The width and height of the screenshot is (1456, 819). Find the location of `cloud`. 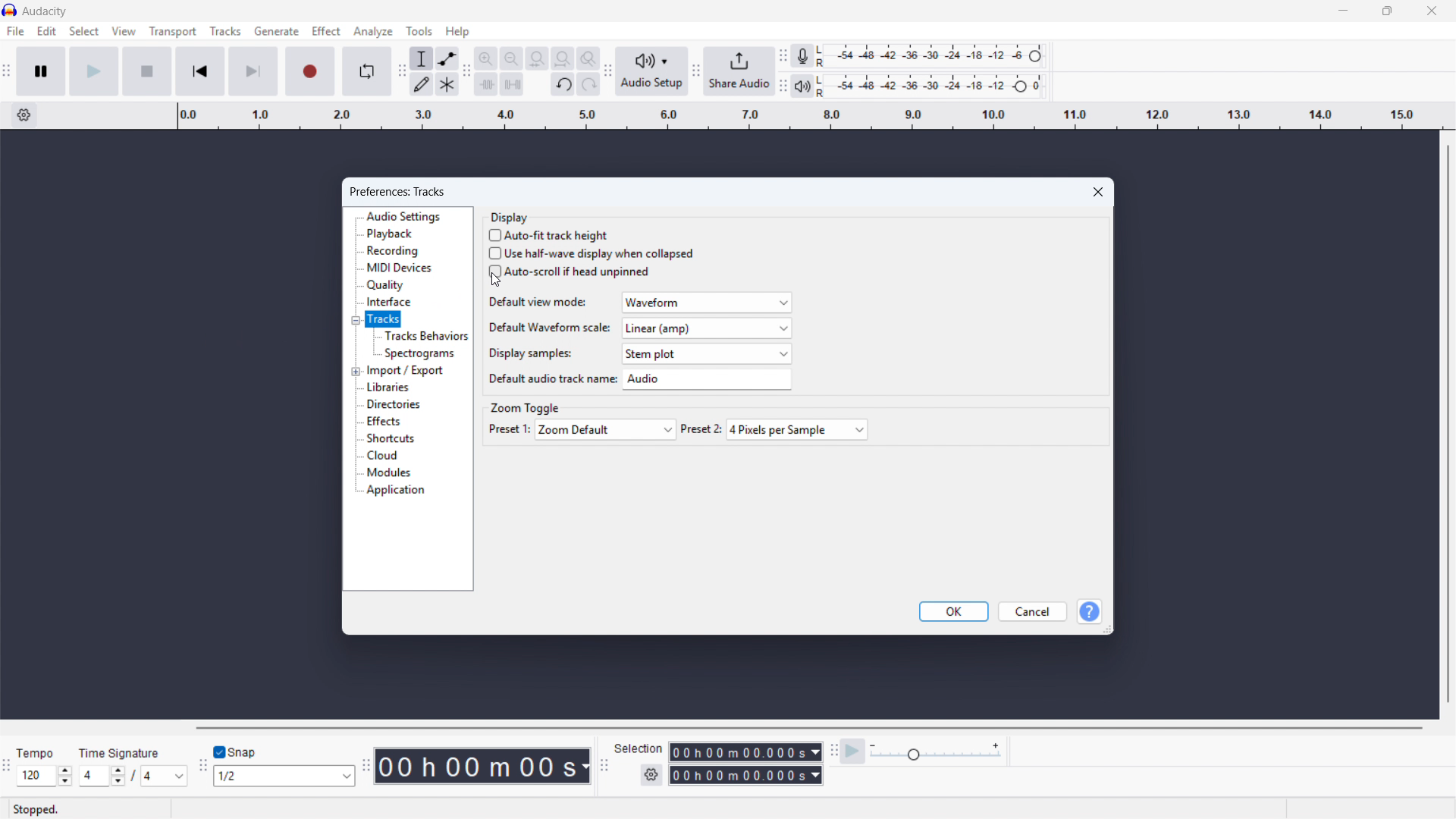

cloud is located at coordinates (383, 455).